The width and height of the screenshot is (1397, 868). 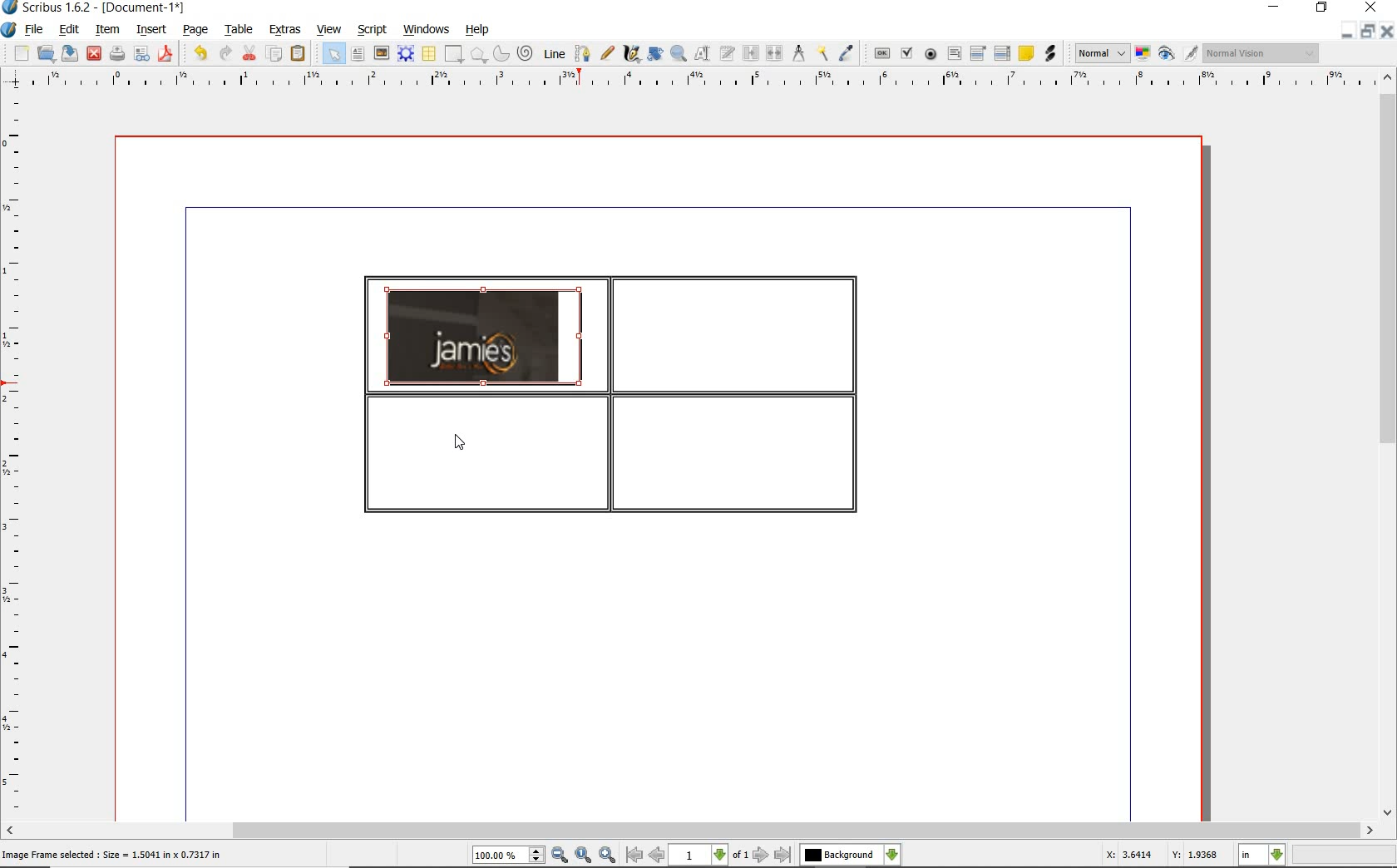 What do you see at coordinates (582, 53) in the screenshot?
I see `bezier curve` at bounding box center [582, 53].